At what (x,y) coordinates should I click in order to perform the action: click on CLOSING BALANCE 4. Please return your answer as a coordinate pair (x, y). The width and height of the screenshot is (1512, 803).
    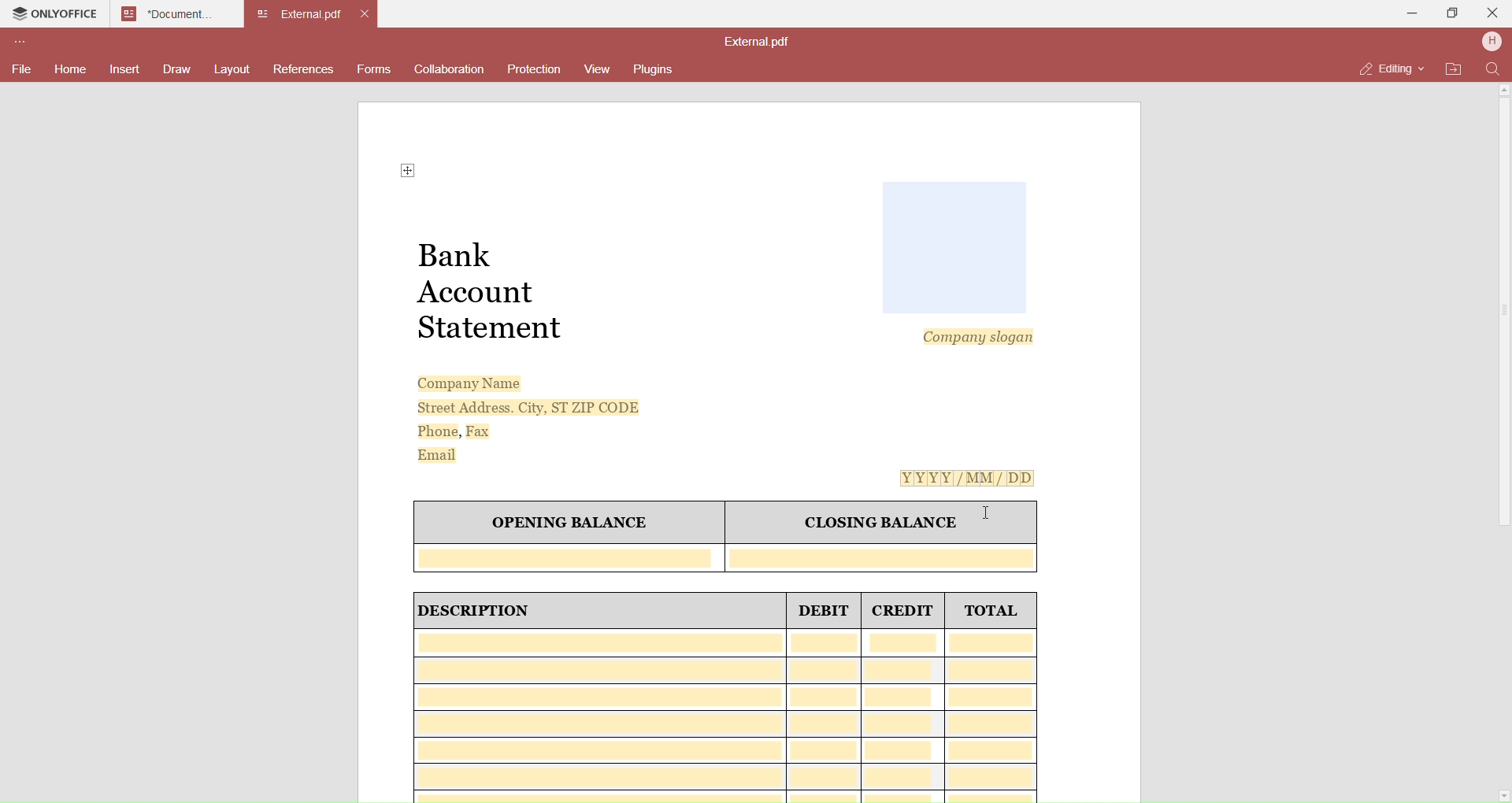
    Looking at the image, I should click on (876, 520).